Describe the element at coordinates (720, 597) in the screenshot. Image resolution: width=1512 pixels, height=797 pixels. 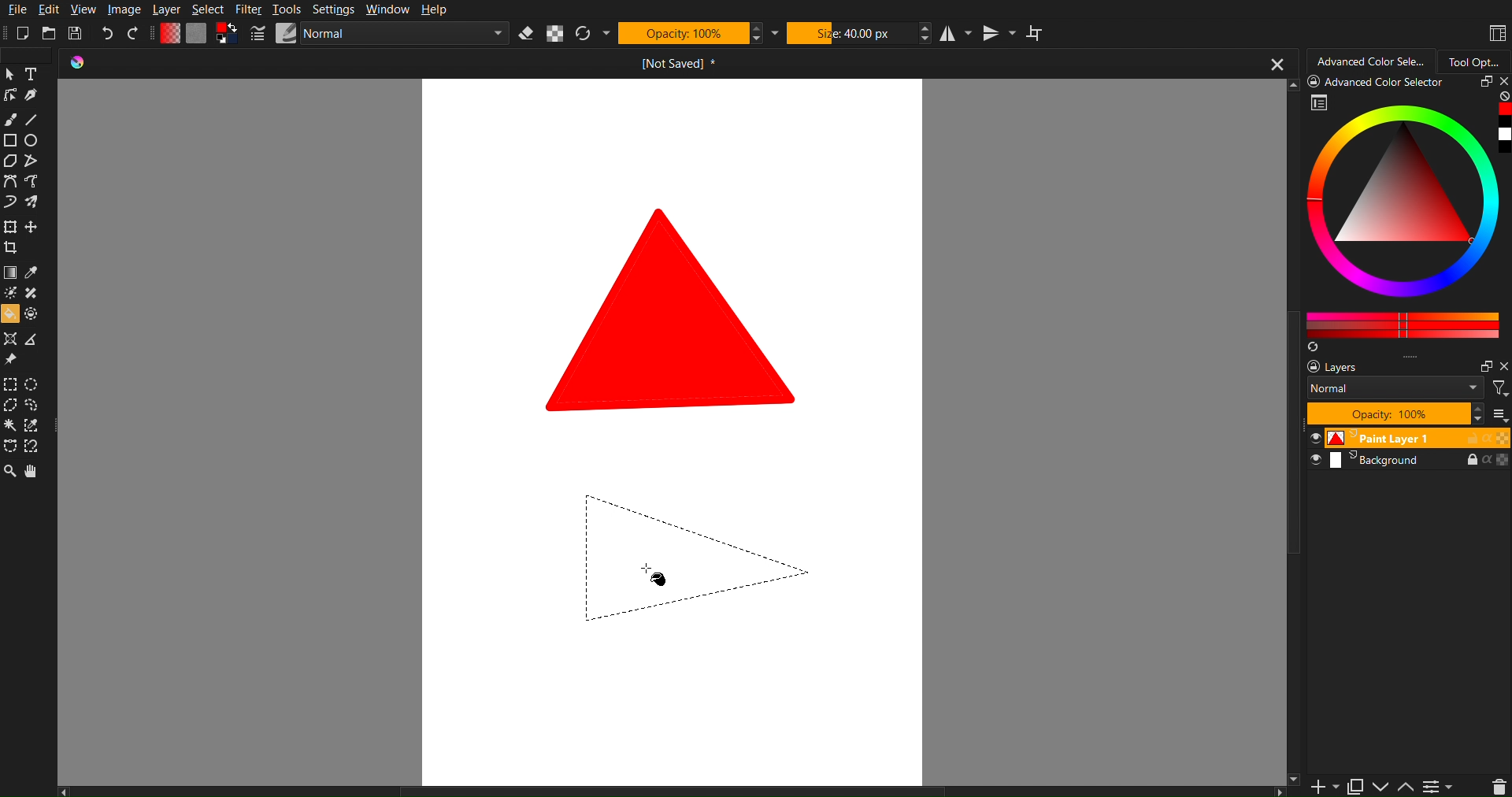
I see `Line 2` at that location.